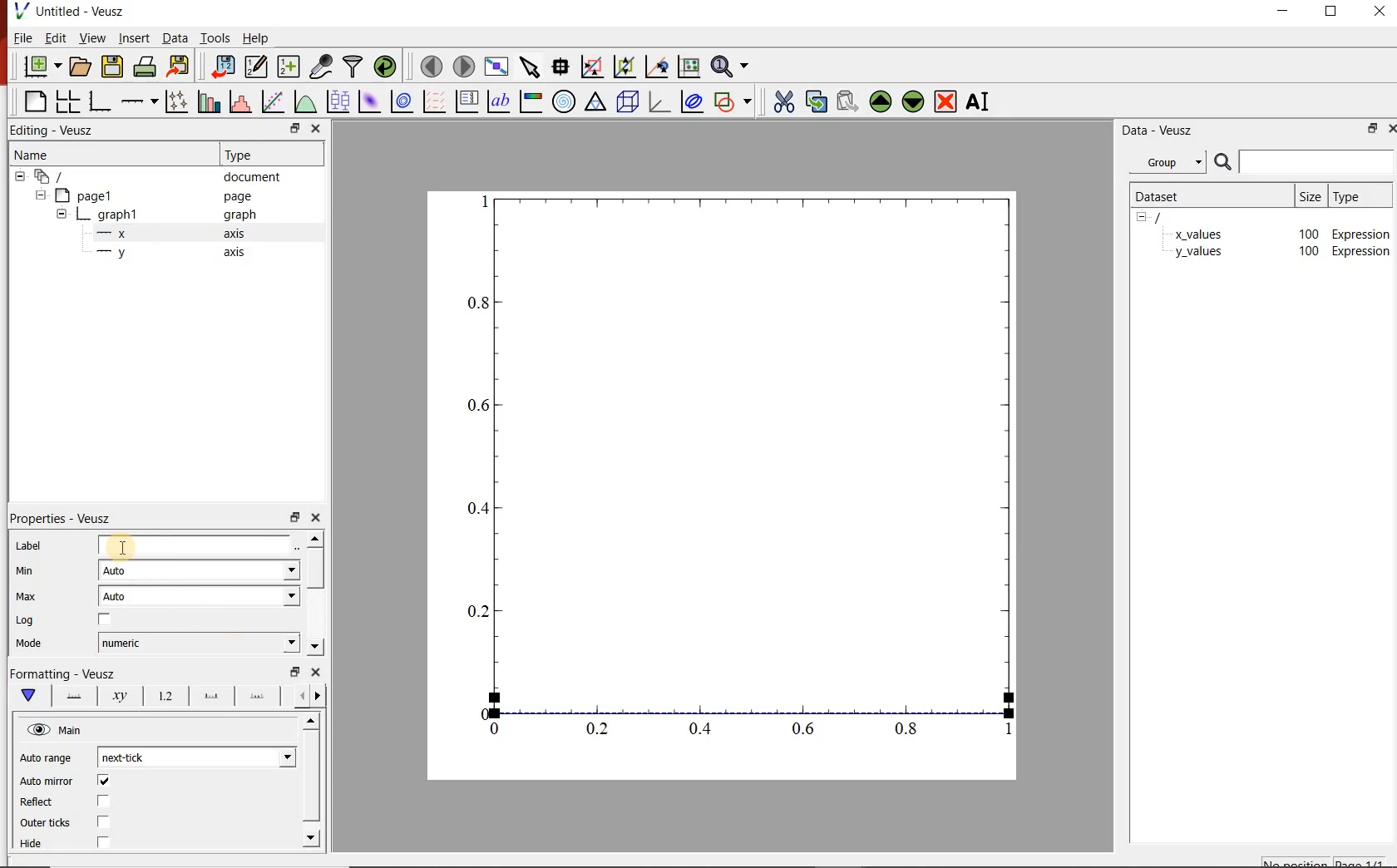  Describe the element at coordinates (730, 68) in the screenshot. I see `zoom functions menu` at that location.